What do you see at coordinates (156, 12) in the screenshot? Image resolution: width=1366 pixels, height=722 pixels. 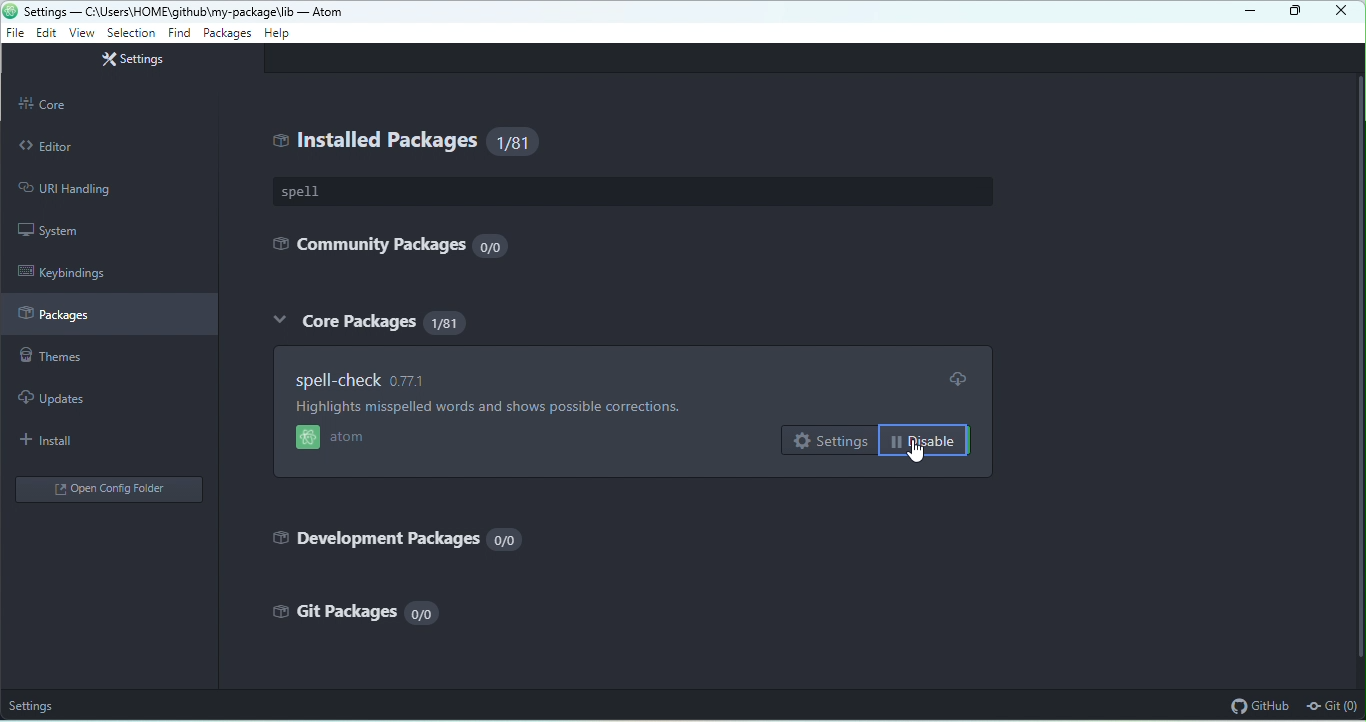 I see `settings — C:\Users\HOME\github\my-package\Jit` at bounding box center [156, 12].